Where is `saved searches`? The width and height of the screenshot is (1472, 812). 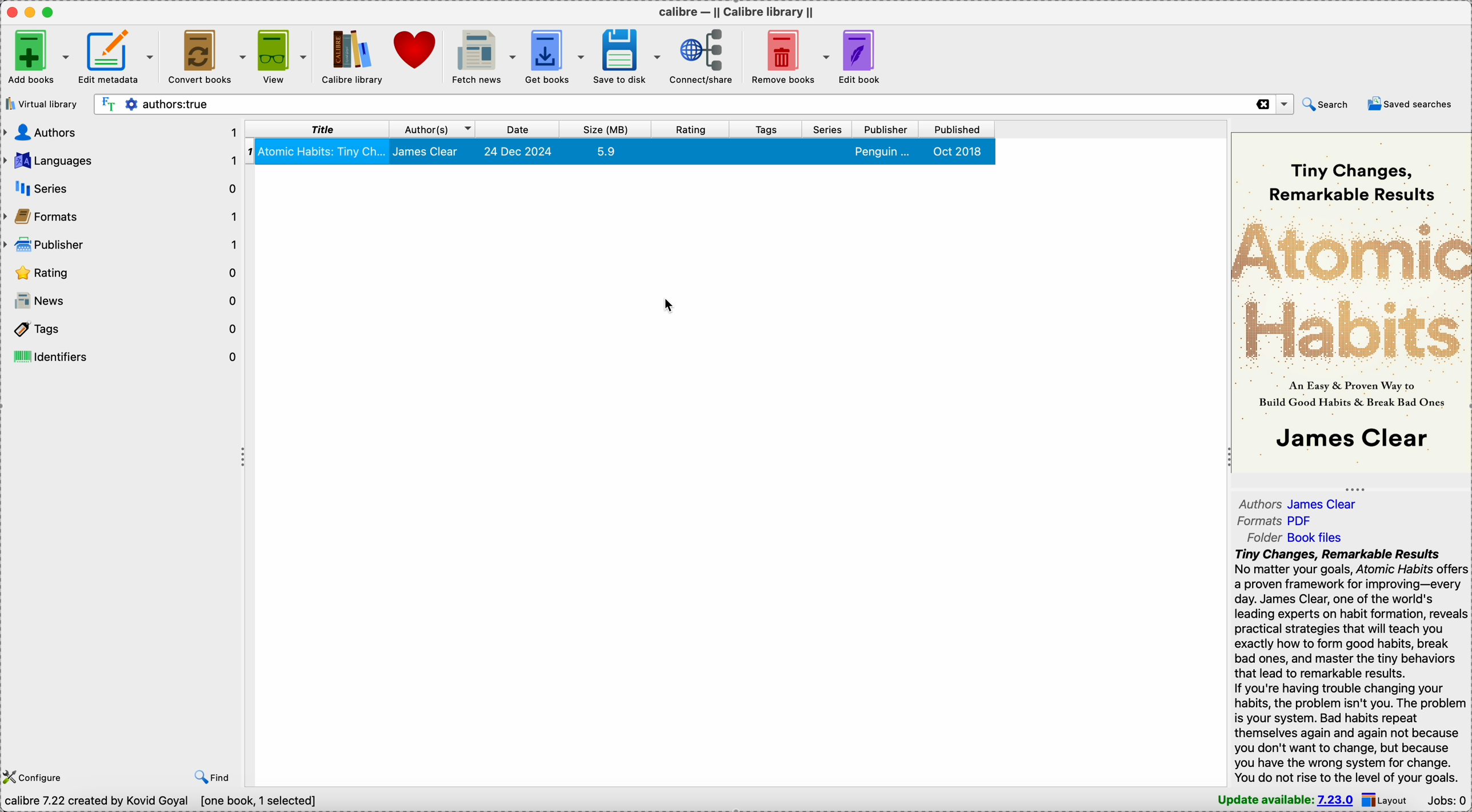 saved searches is located at coordinates (1411, 103).